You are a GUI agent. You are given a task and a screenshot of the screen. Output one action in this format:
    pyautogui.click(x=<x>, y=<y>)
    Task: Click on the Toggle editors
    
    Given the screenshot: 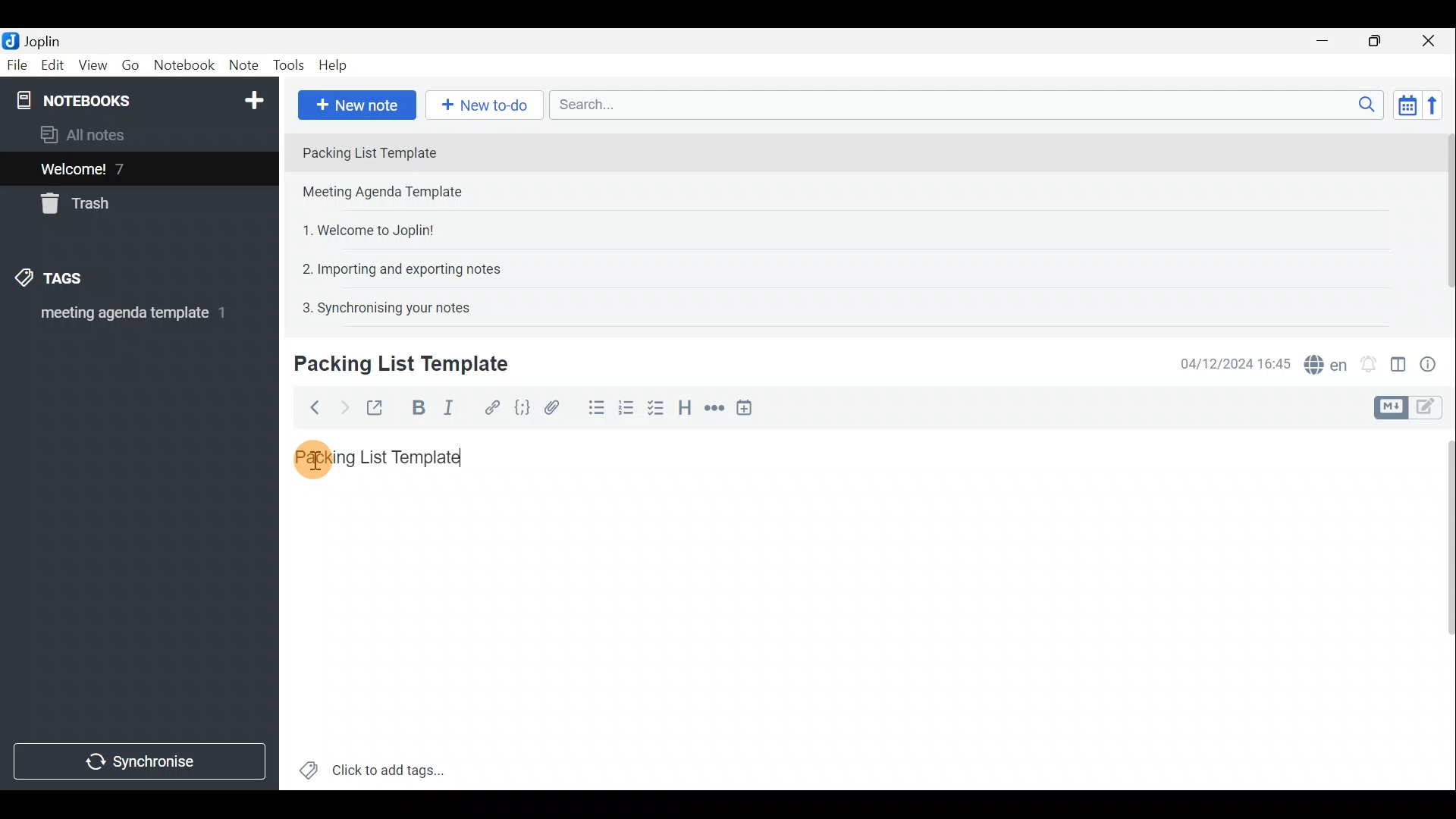 What is the action you would take?
    pyautogui.click(x=1433, y=409)
    